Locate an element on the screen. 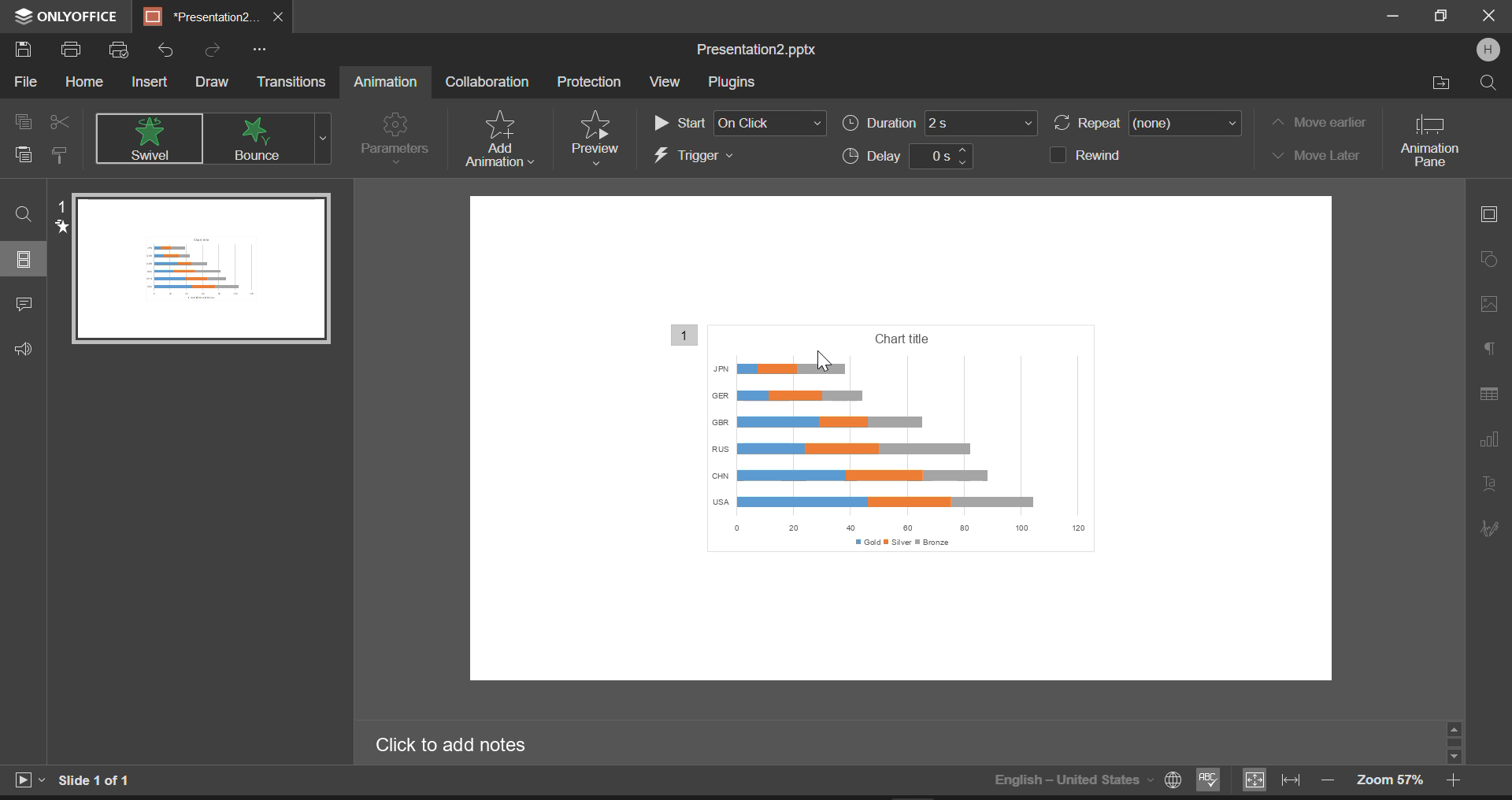 Image resolution: width=1512 pixels, height=800 pixels. Duration is located at coordinates (941, 126).